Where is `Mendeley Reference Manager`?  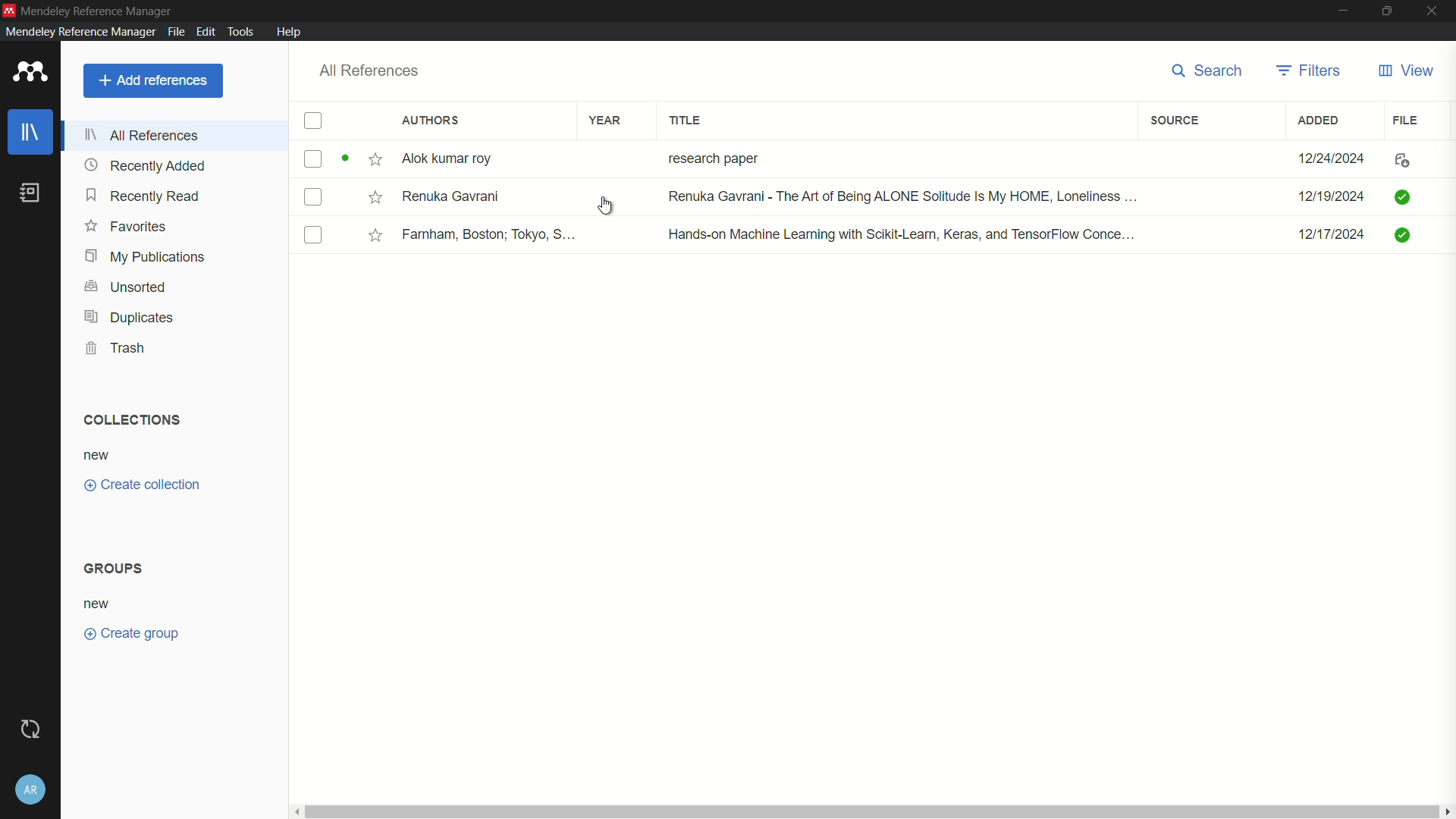 Mendeley Reference Manager is located at coordinates (102, 12).